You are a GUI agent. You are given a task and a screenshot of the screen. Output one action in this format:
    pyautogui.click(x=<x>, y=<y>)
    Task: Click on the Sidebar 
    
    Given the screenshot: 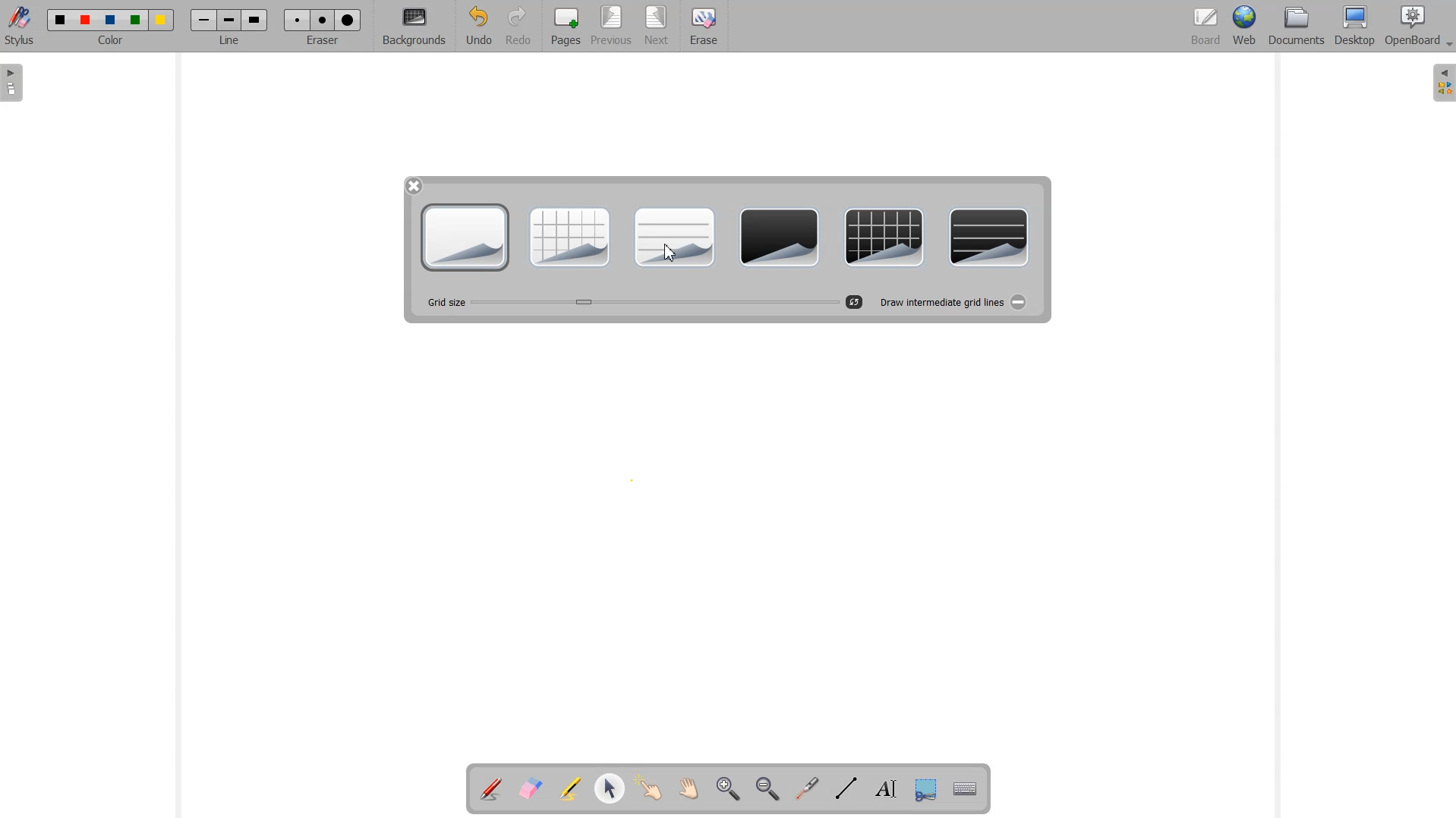 What is the action you would take?
    pyautogui.click(x=1441, y=83)
    